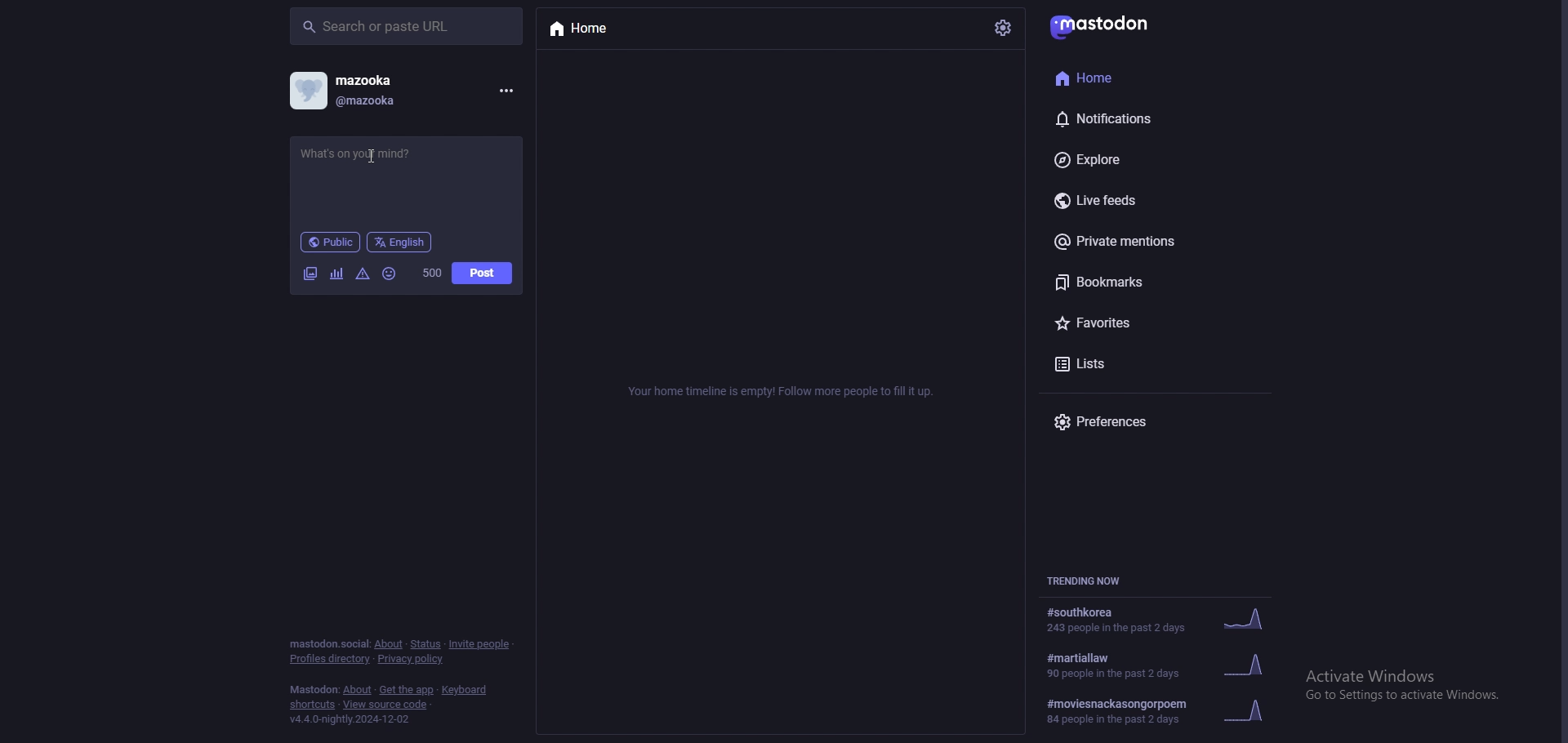 The image size is (1568, 743). What do you see at coordinates (377, 154) in the screenshot?
I see `status input` at bounding box center [377, 154].